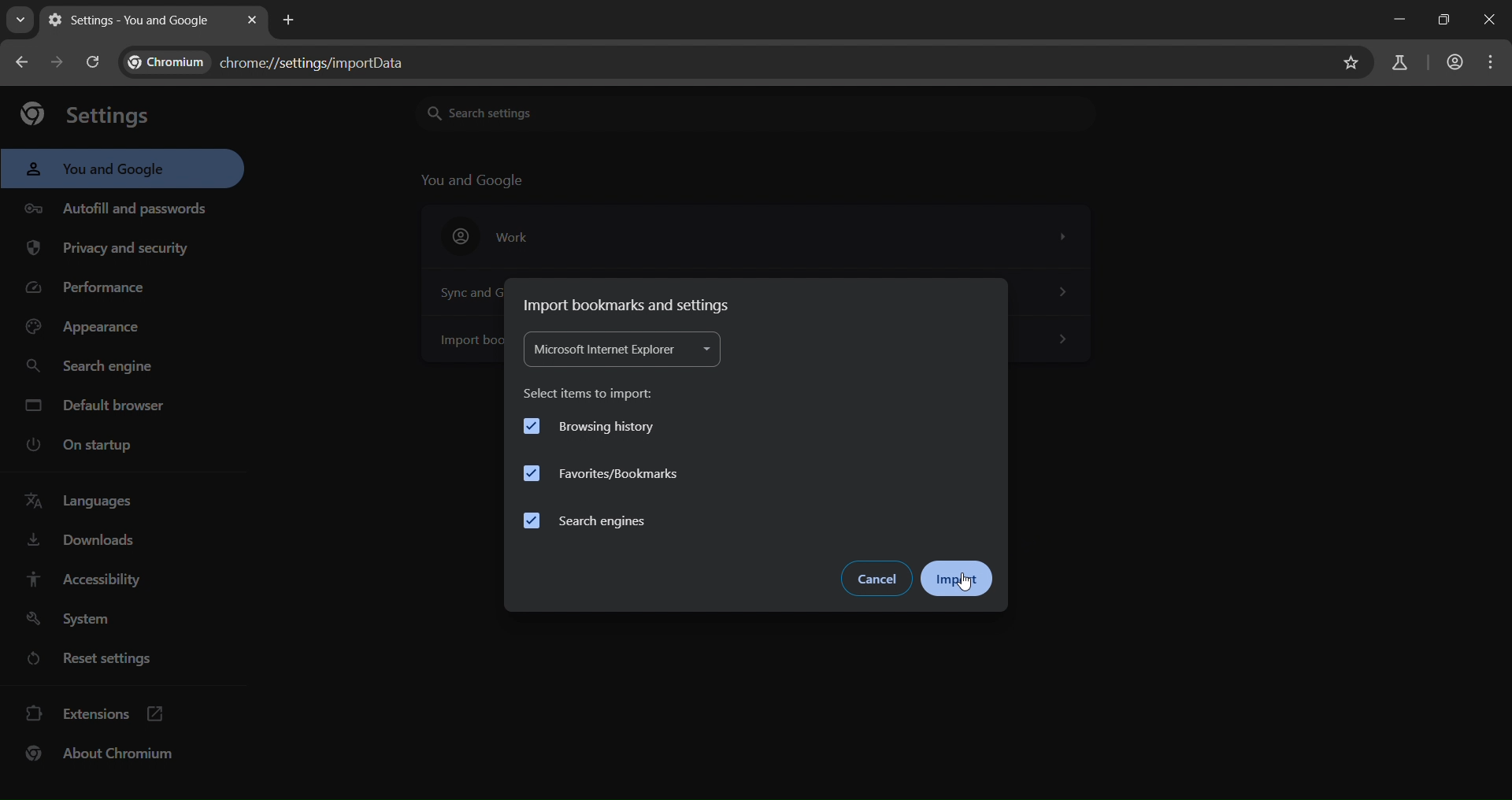 This screenshot has height=800, width=1512. Describe the element at coordinates (620, 351) in the screenshot. I see `microsoft internet explorer` at that location.